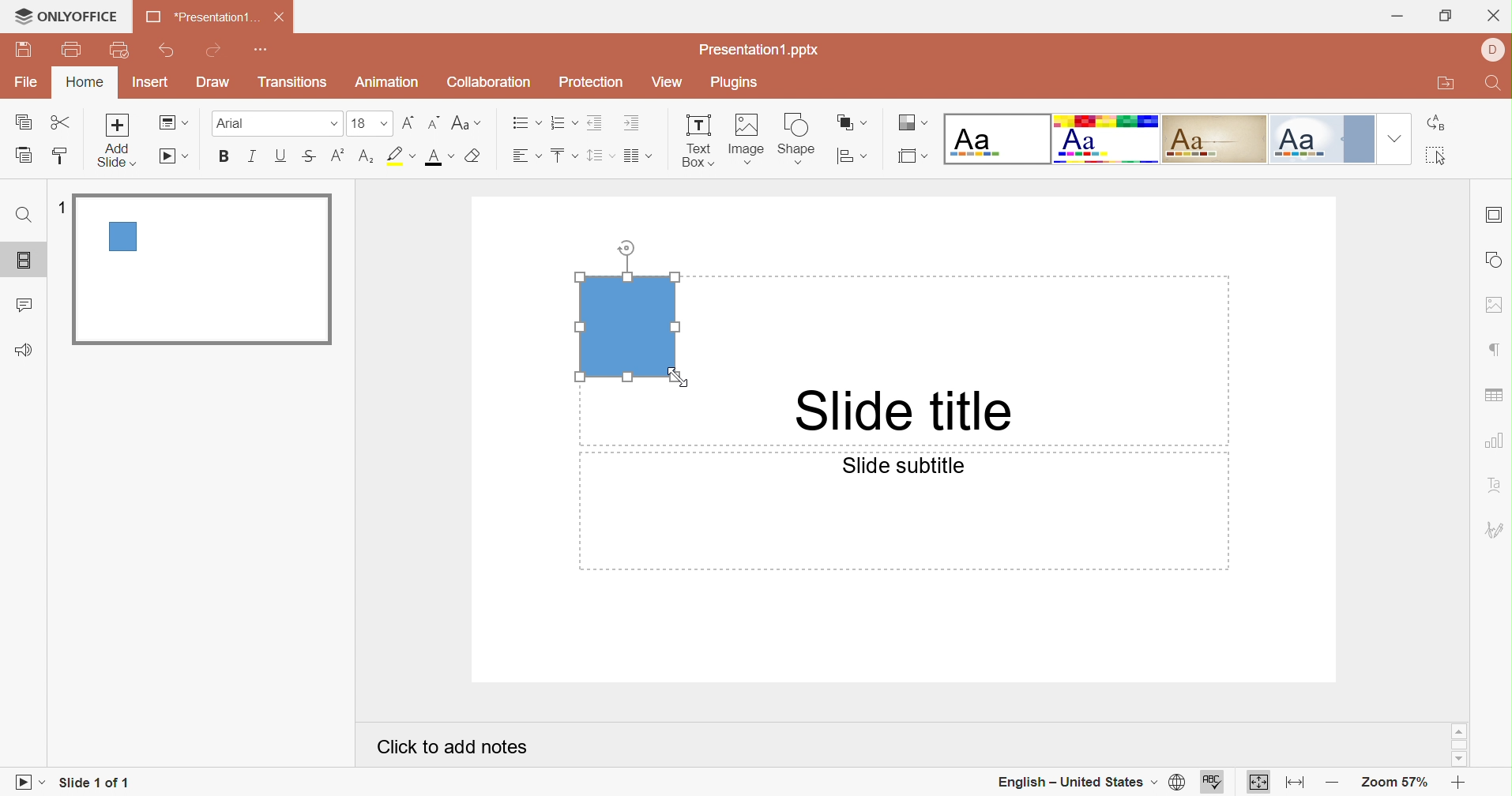  I want to click on Chart settings, so click(1495, 441).